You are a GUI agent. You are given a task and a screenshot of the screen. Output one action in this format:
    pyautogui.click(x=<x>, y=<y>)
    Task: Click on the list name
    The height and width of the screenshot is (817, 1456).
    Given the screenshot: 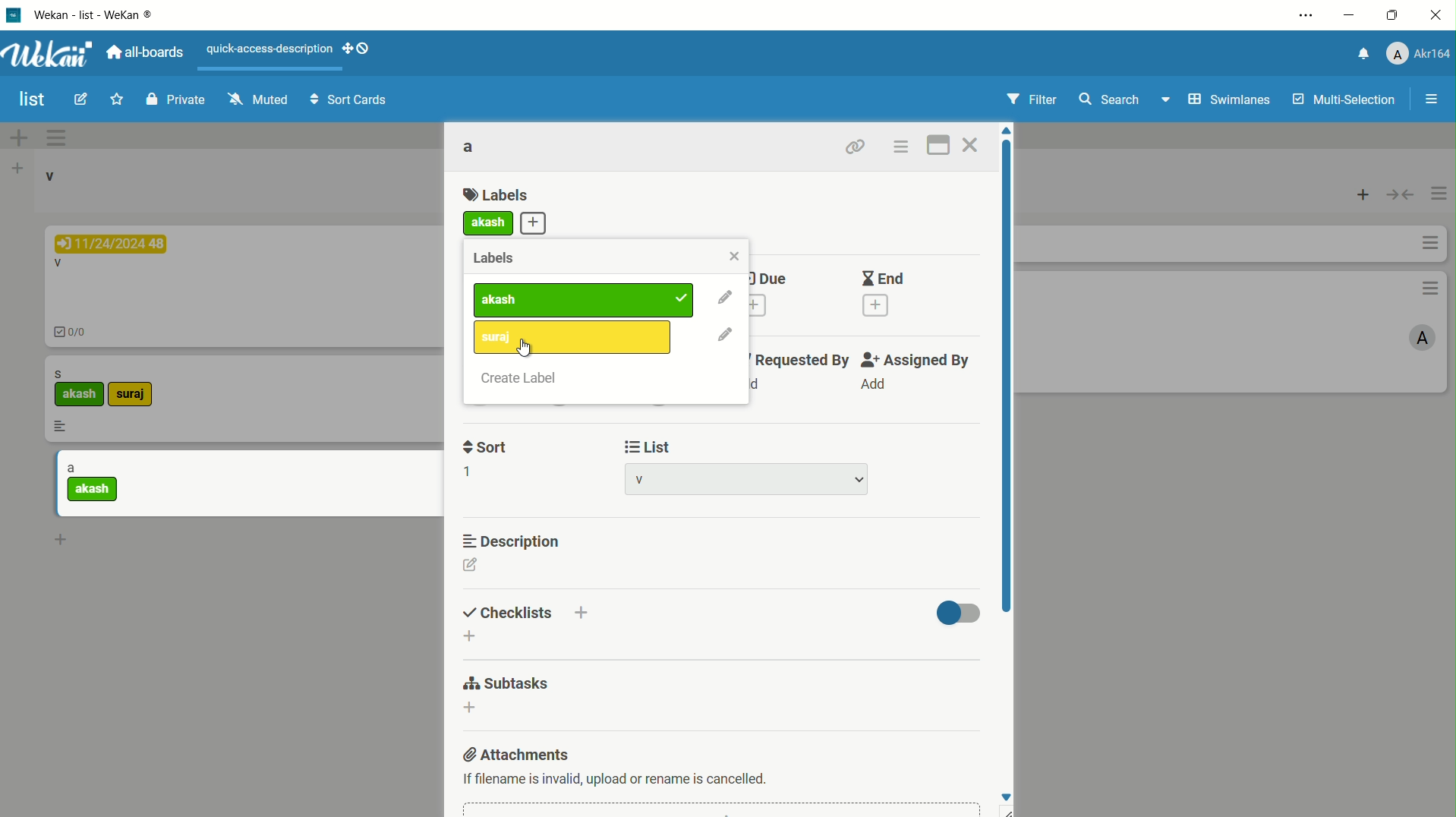 What is the action you would take?
    pyautogui.click(x=639, y=477)
    